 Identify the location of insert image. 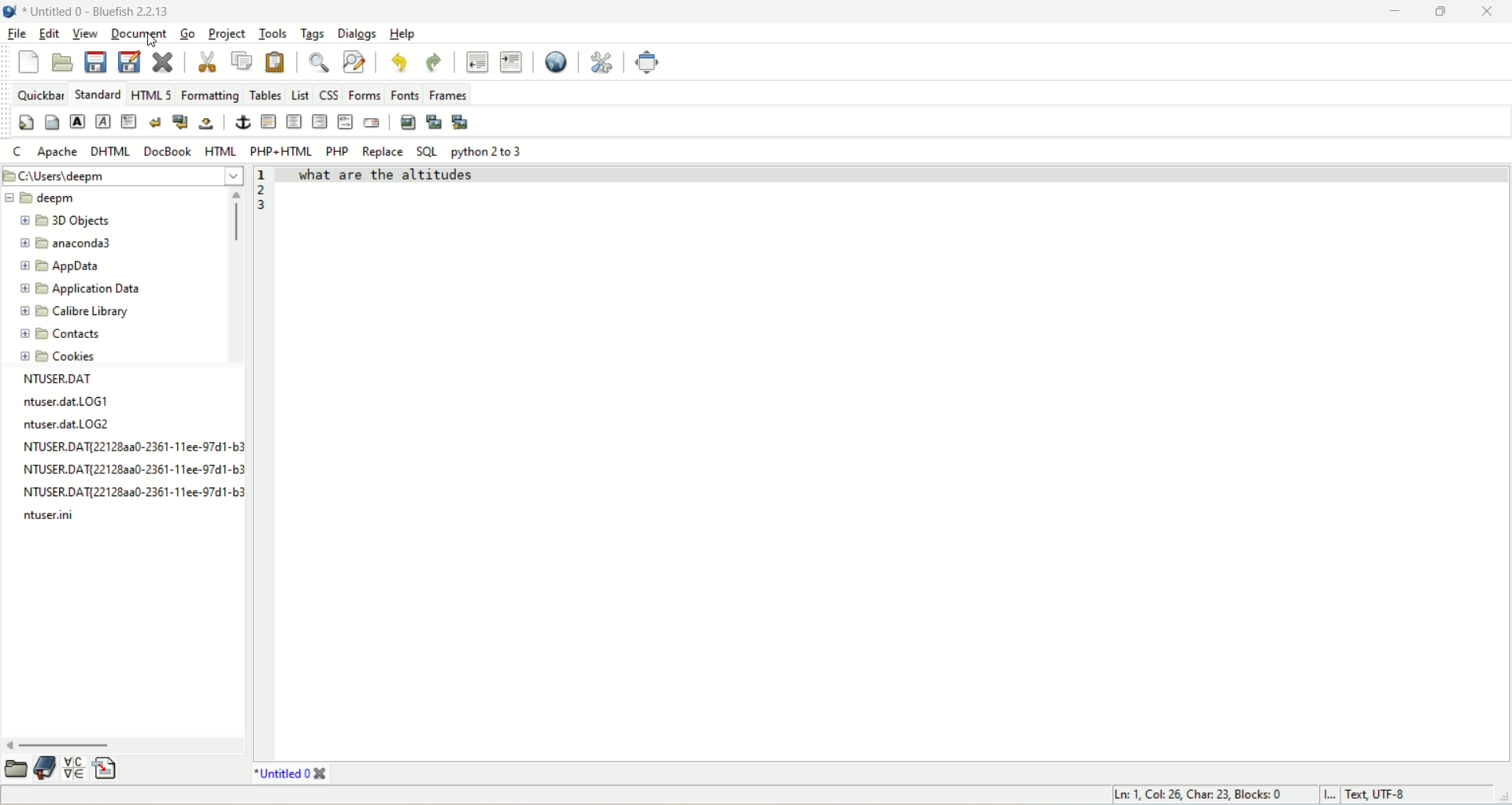
(408, 122).